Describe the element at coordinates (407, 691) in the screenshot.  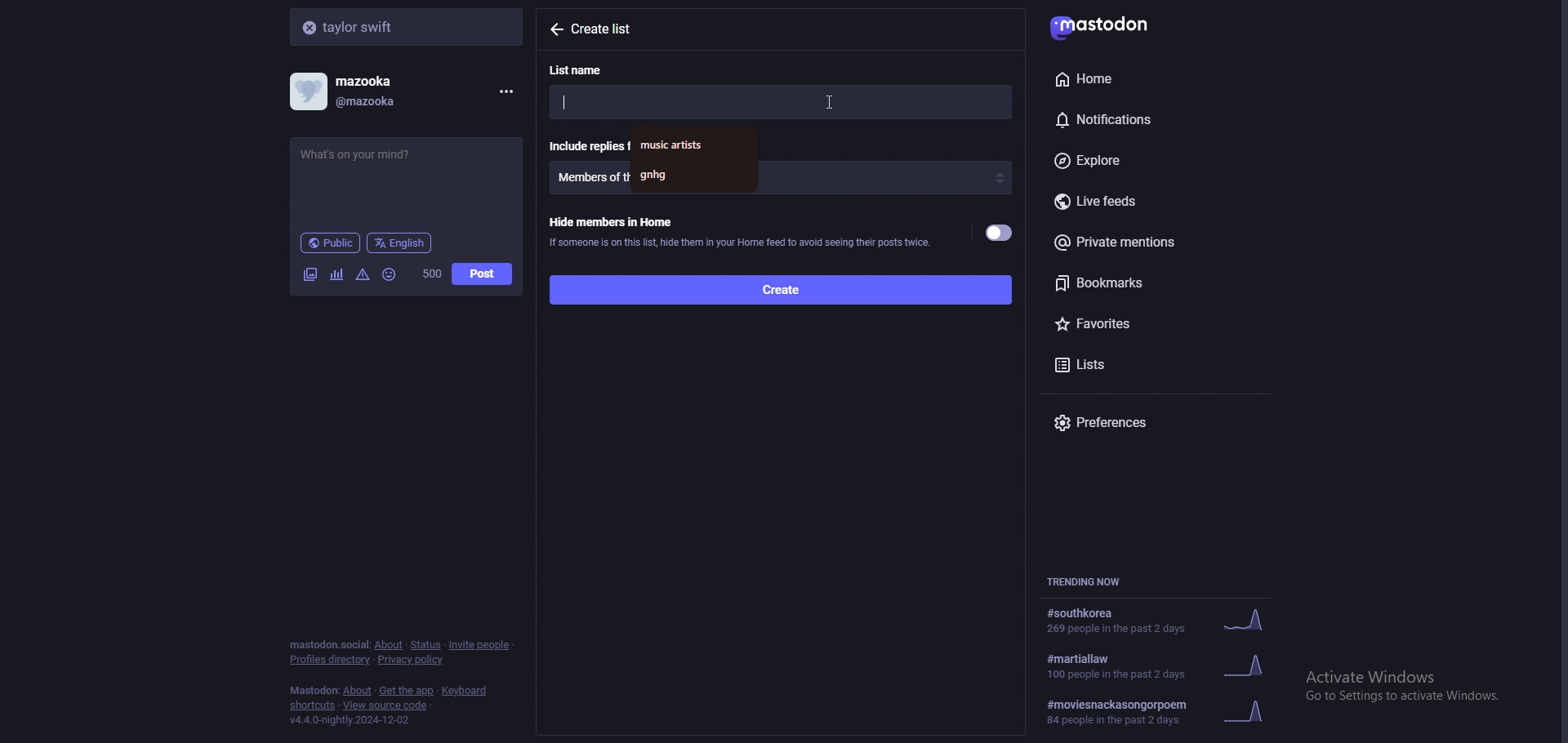
I see `get the app` at that location.